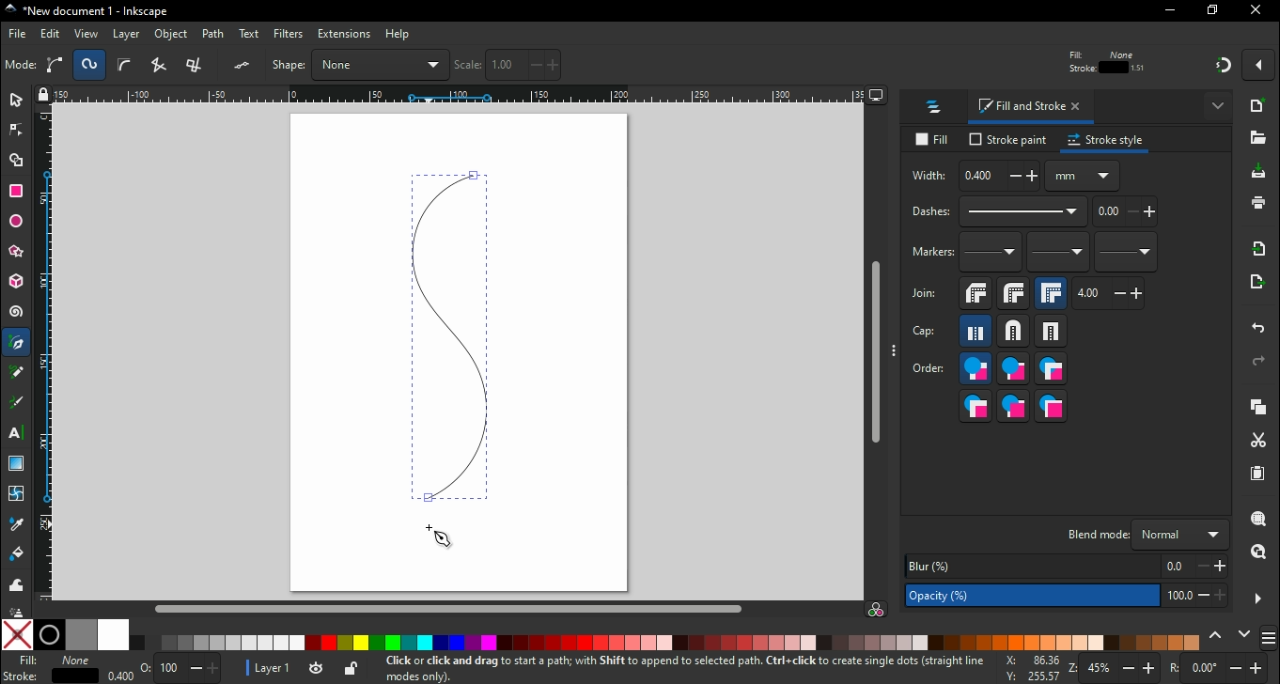  Describe the element at coordinates (1146, 535) in the screenshot. I see `blend mode` at that location.